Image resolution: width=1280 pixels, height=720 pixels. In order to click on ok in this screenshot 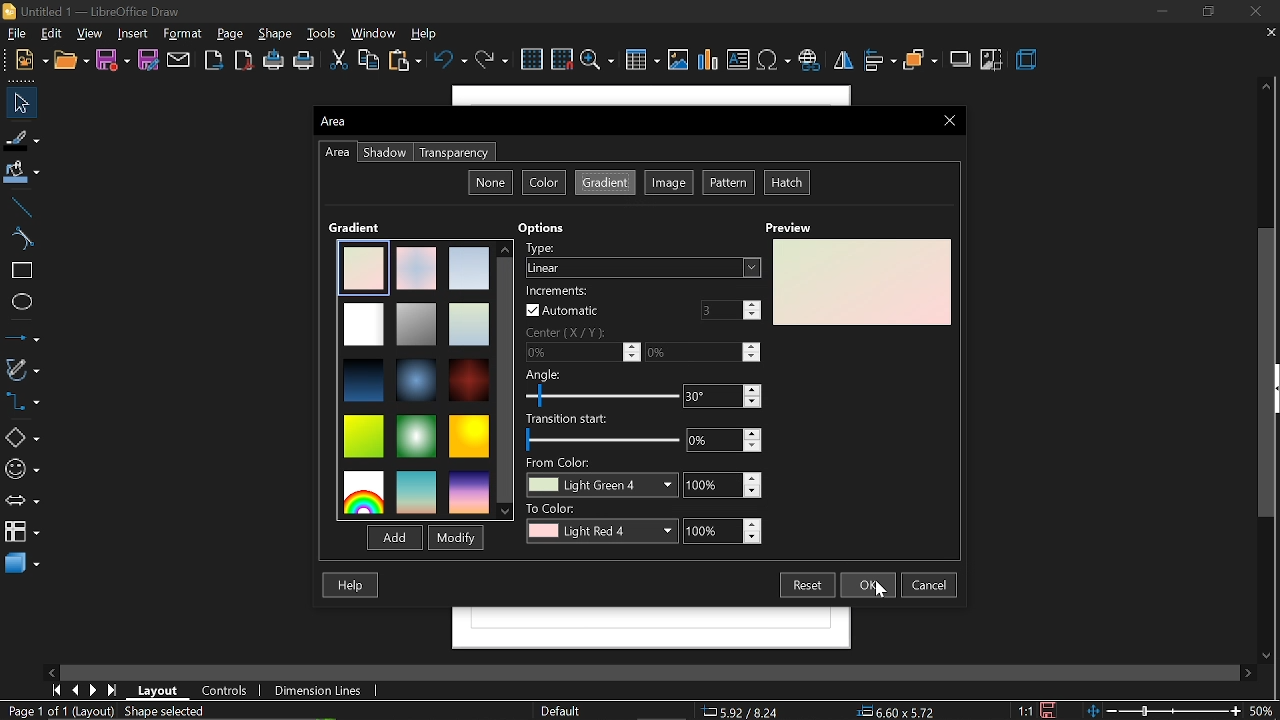, I will do `click(870, 585)`.